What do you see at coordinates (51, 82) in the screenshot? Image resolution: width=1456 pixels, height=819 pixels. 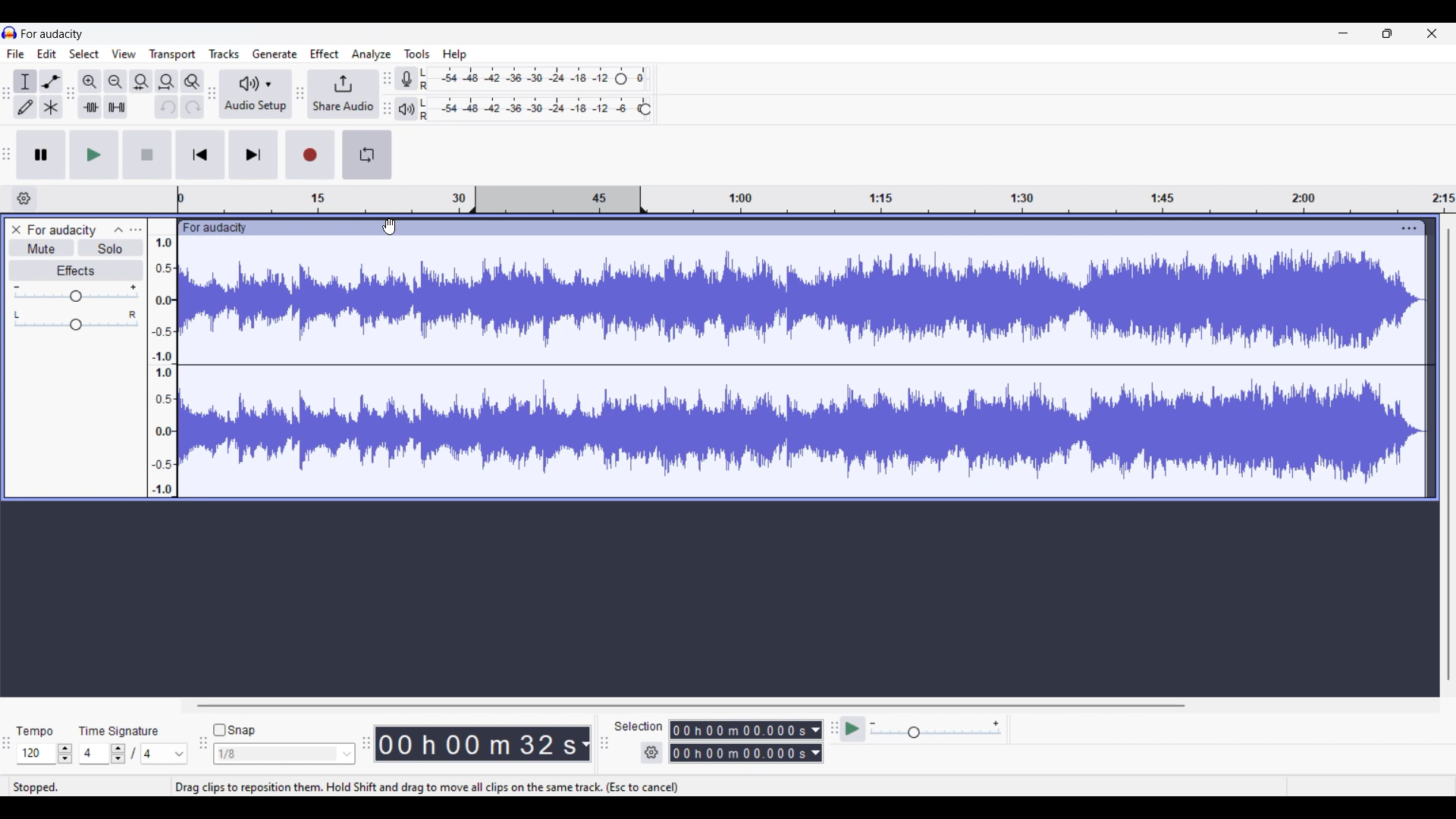 I see `Envelop tool` at bounding box center [51, 82].